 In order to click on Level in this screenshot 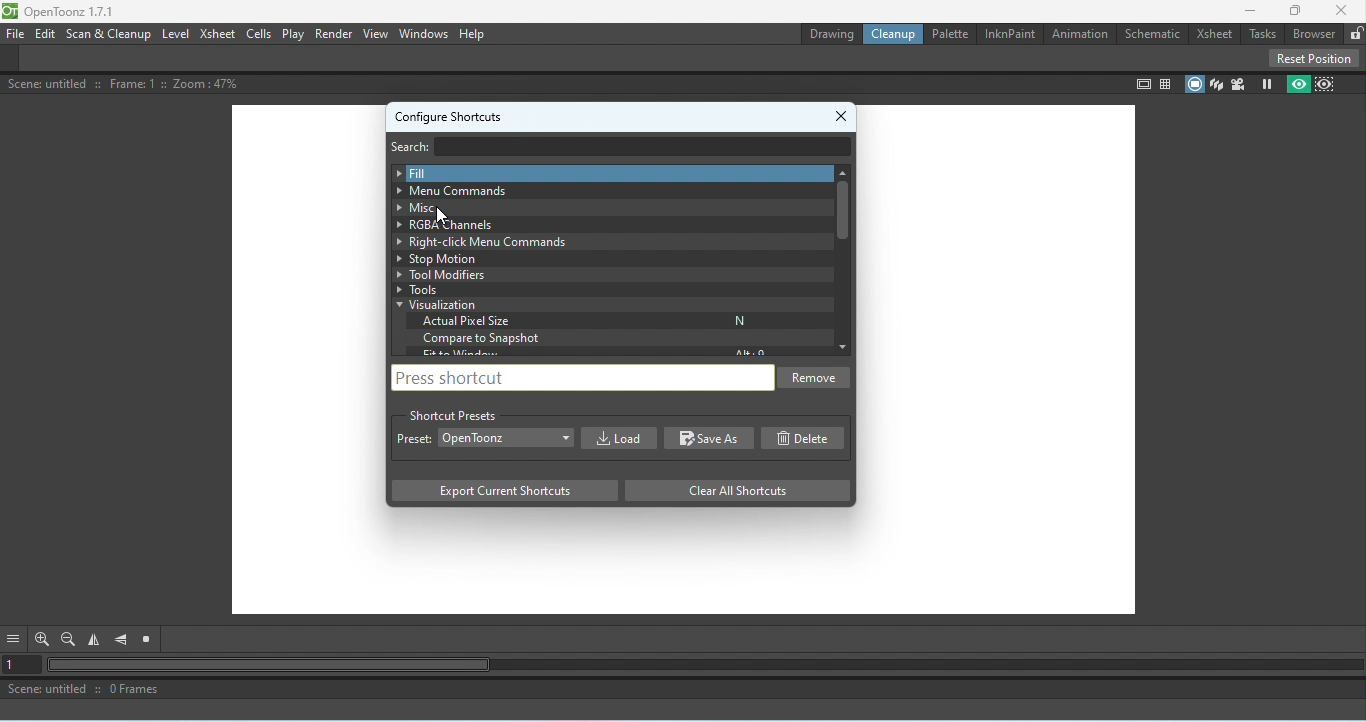, I will do `click(176, 34)`.